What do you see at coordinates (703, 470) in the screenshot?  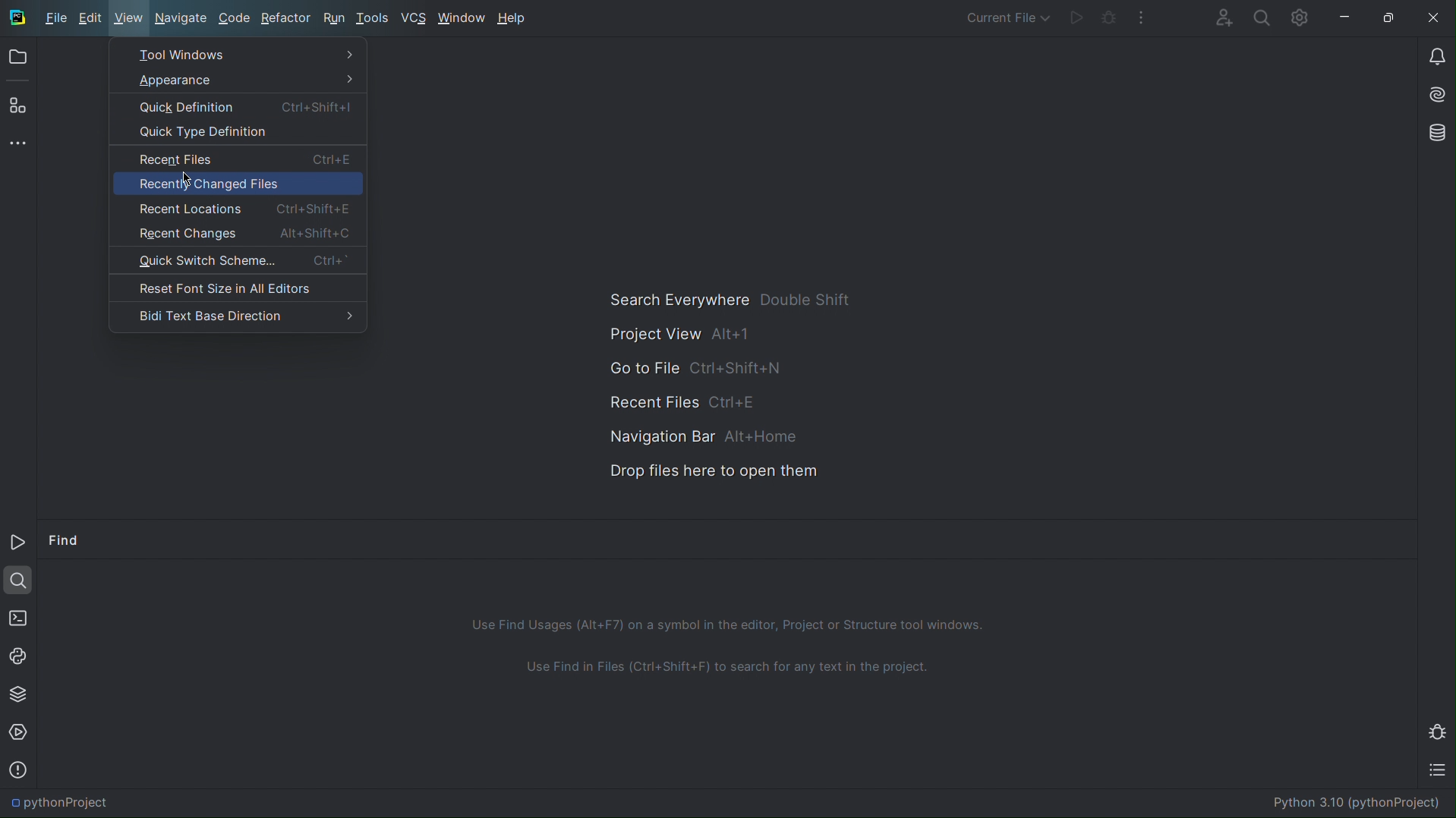 I see `Drop files here to open them` at bounding box center [703, 470].